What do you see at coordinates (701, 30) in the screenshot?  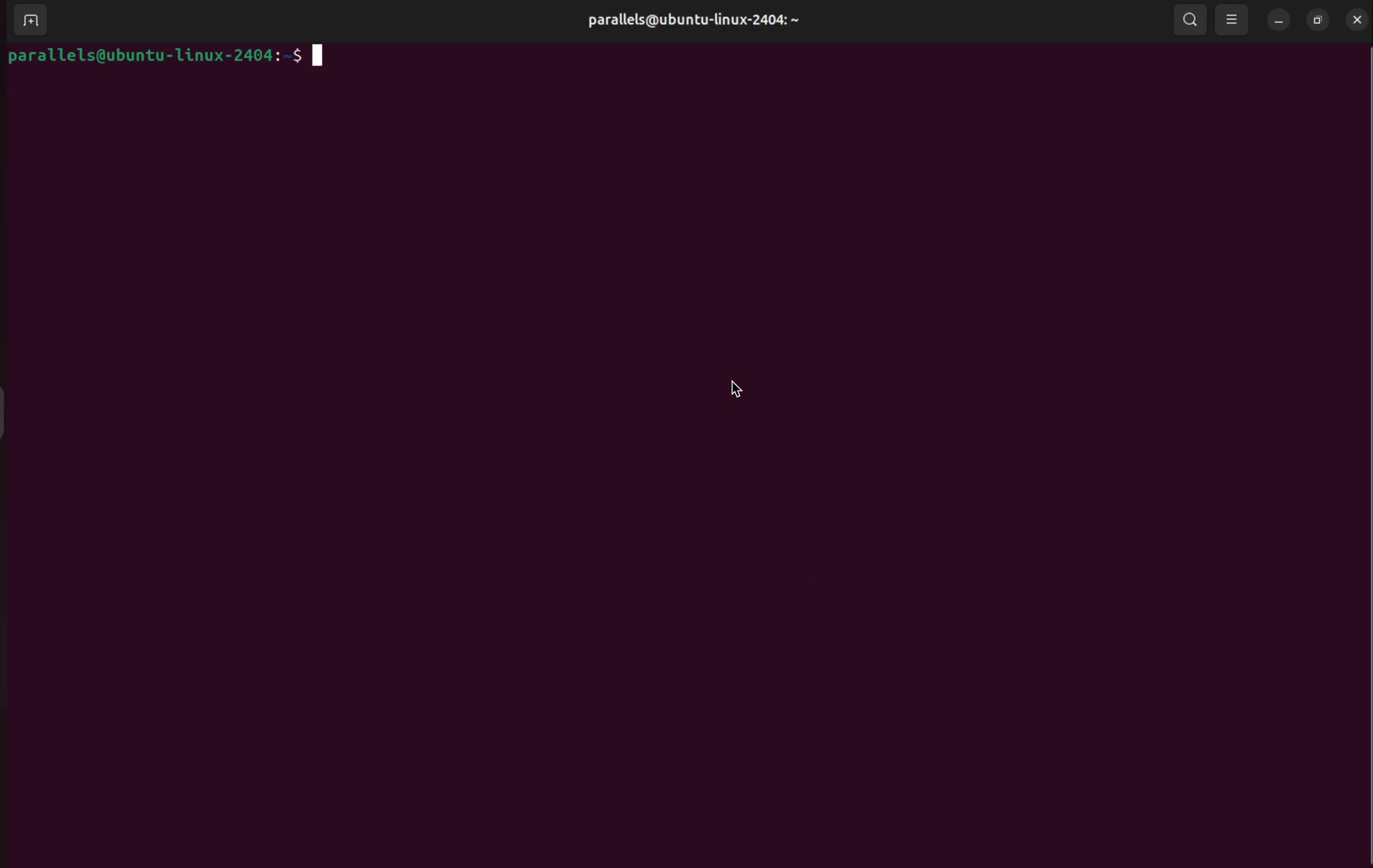 I see `parallels@ubuntu-linux-2404: ~` at bounding box center [701, 30].